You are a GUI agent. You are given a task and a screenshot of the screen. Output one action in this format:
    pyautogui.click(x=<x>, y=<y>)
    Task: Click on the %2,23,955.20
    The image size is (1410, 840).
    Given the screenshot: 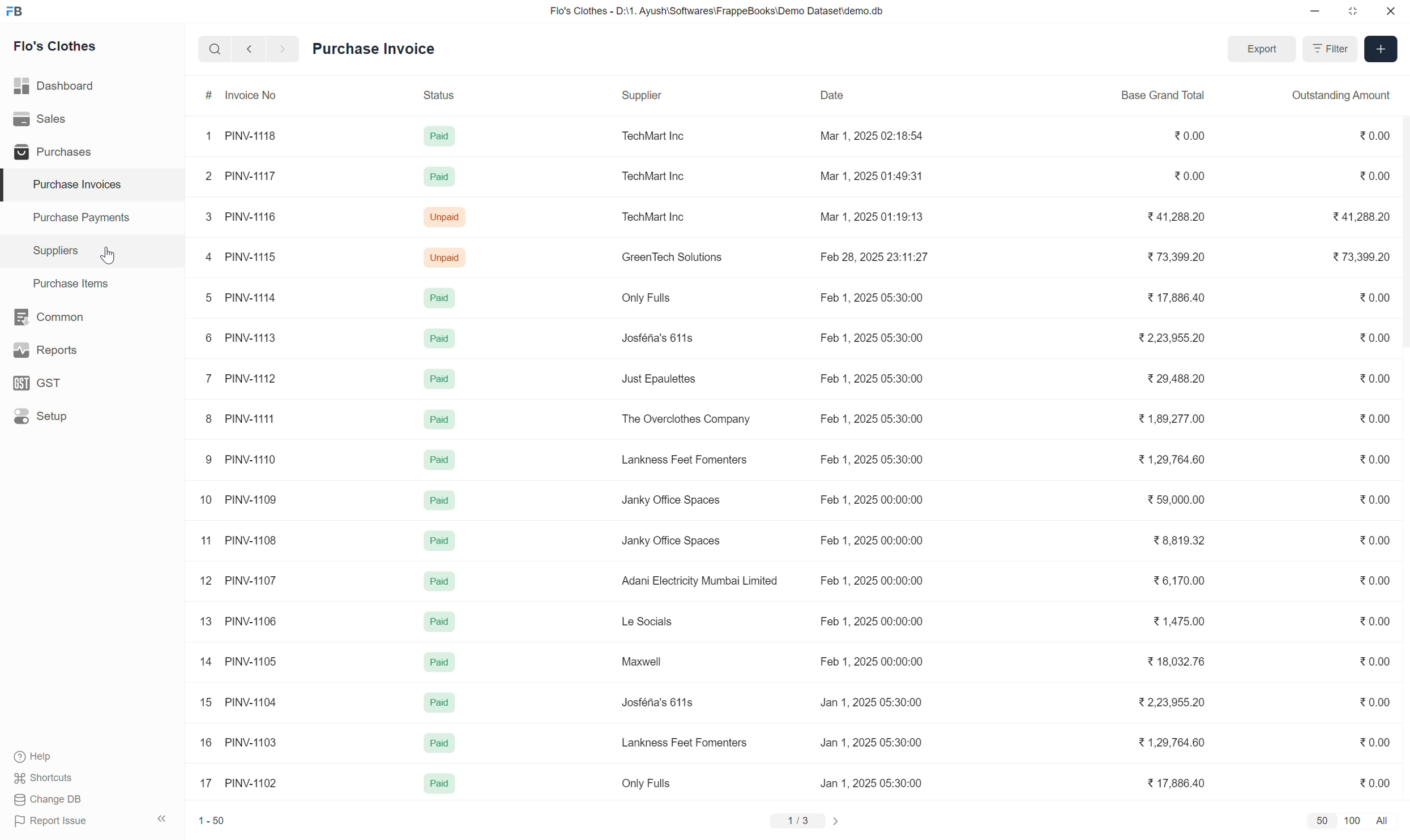 What is the action you would take?
    pyautogui.click(x=1181, y=702)
    